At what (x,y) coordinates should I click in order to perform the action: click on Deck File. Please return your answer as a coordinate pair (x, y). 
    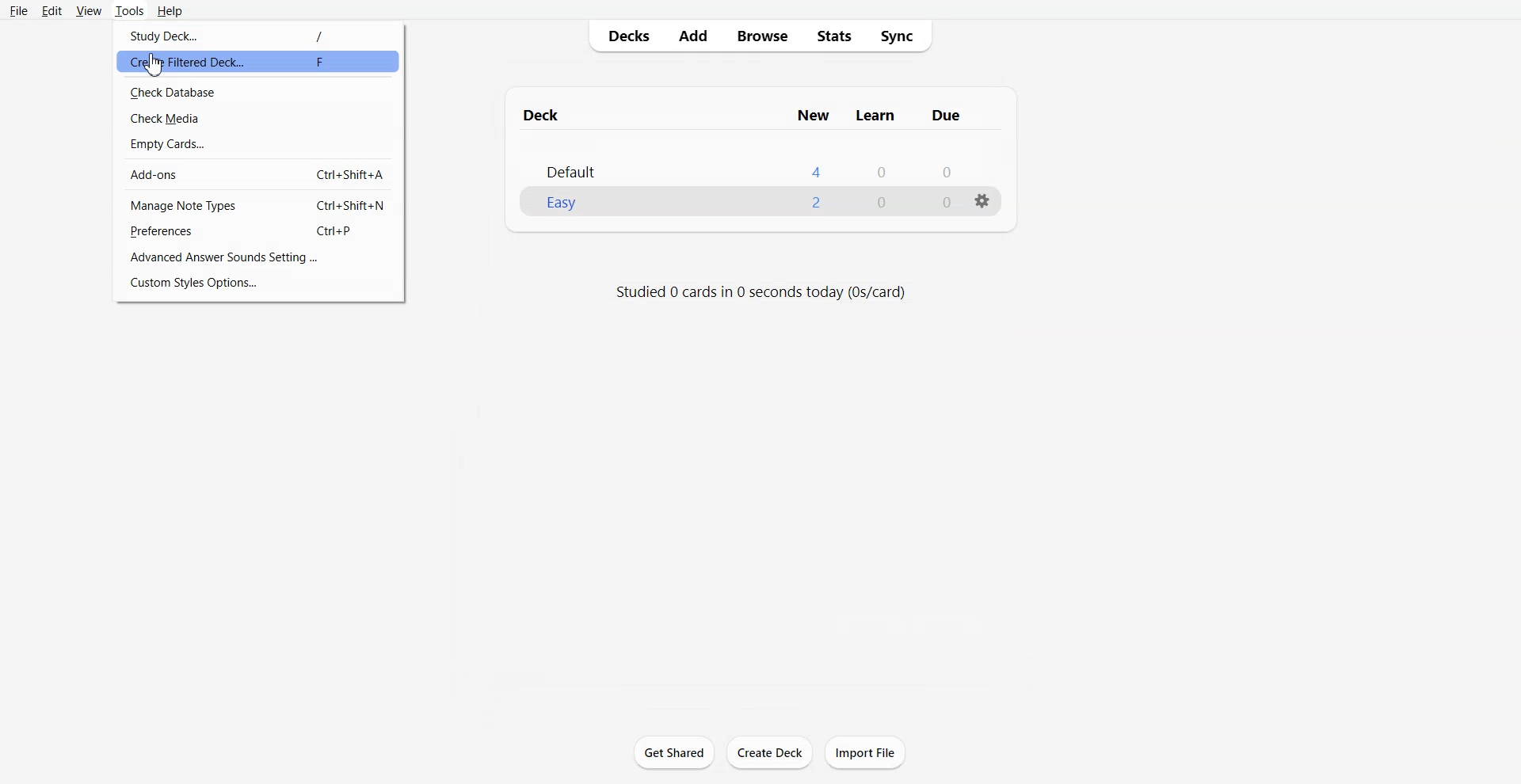
    Looking at the image, I should click on (755, 160).